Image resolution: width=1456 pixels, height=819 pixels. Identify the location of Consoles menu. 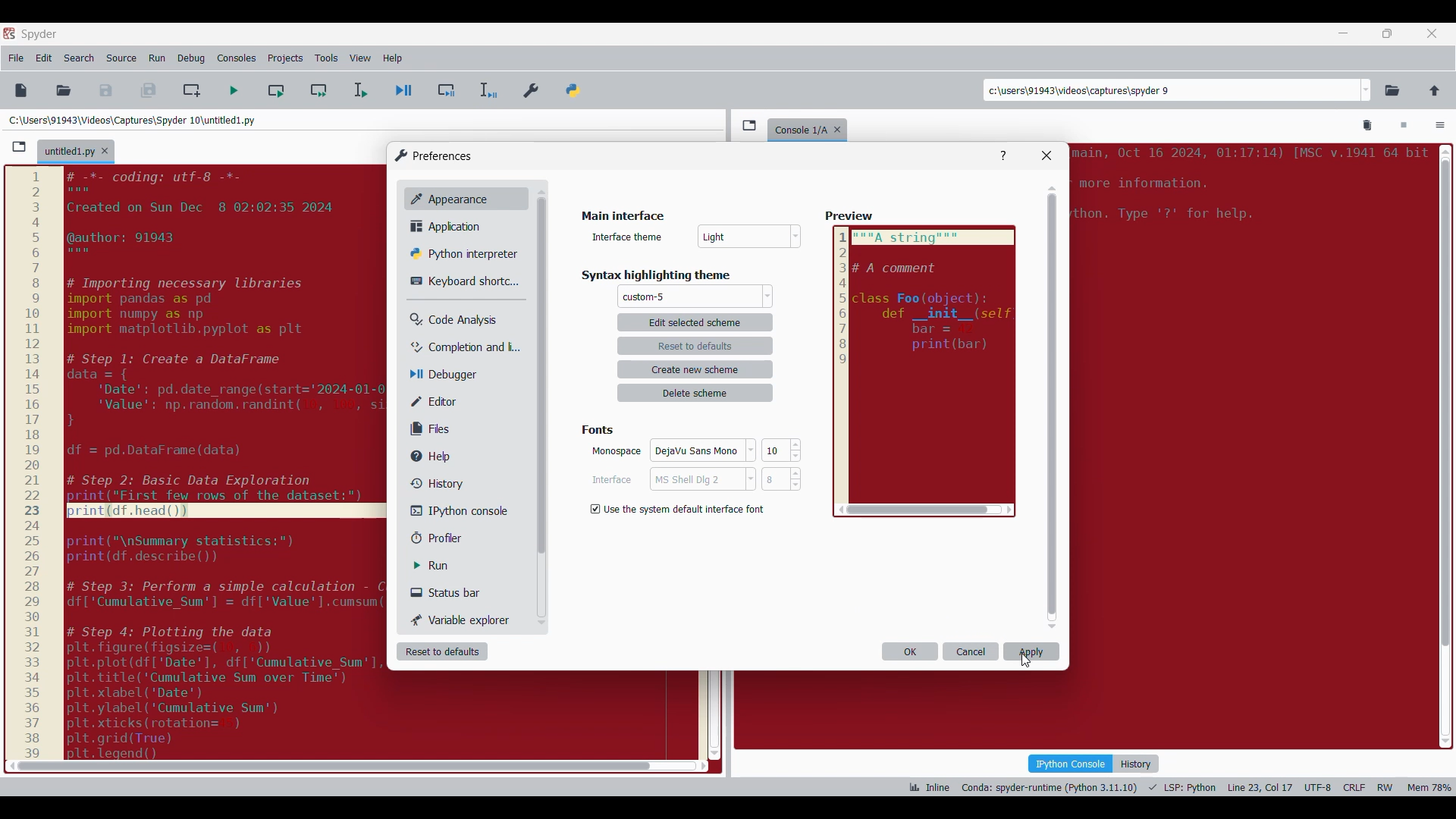
(237, 58).